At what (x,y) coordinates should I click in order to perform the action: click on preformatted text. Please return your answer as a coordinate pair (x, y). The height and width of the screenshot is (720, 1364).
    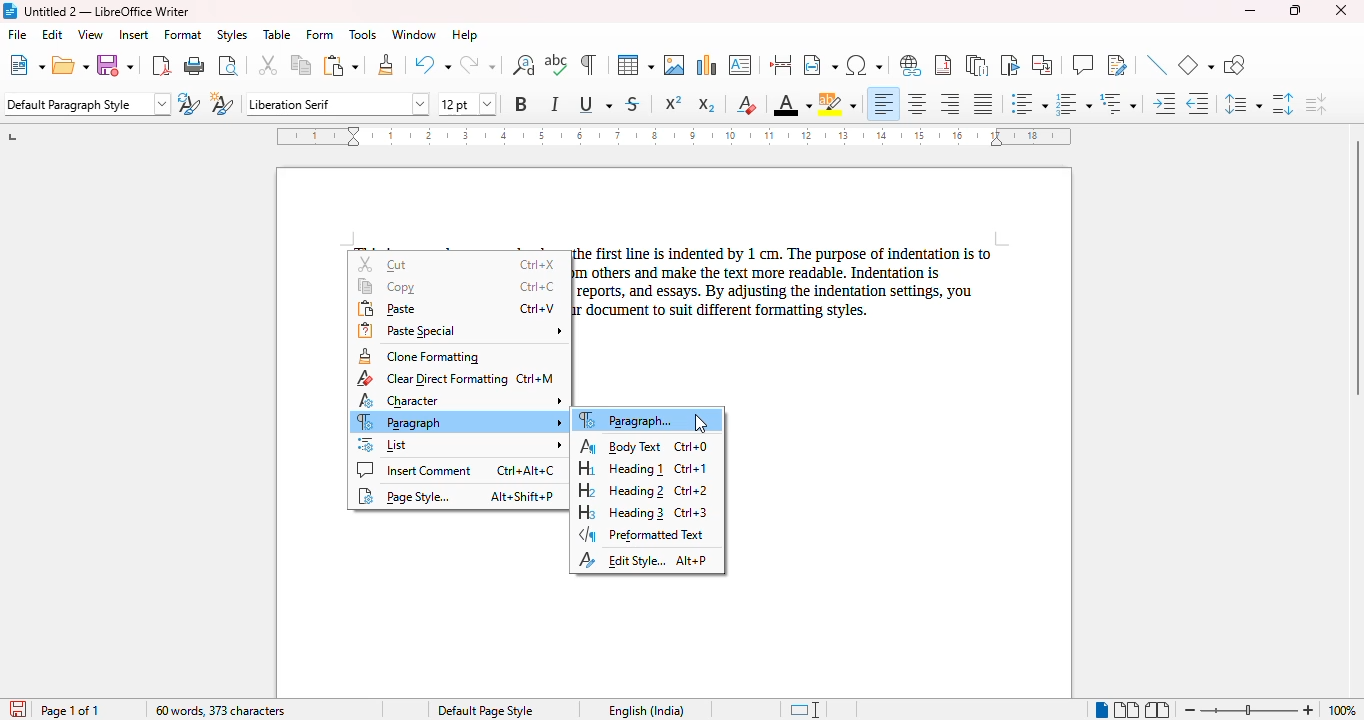
    Looking at the image, I should click on (643, 536).